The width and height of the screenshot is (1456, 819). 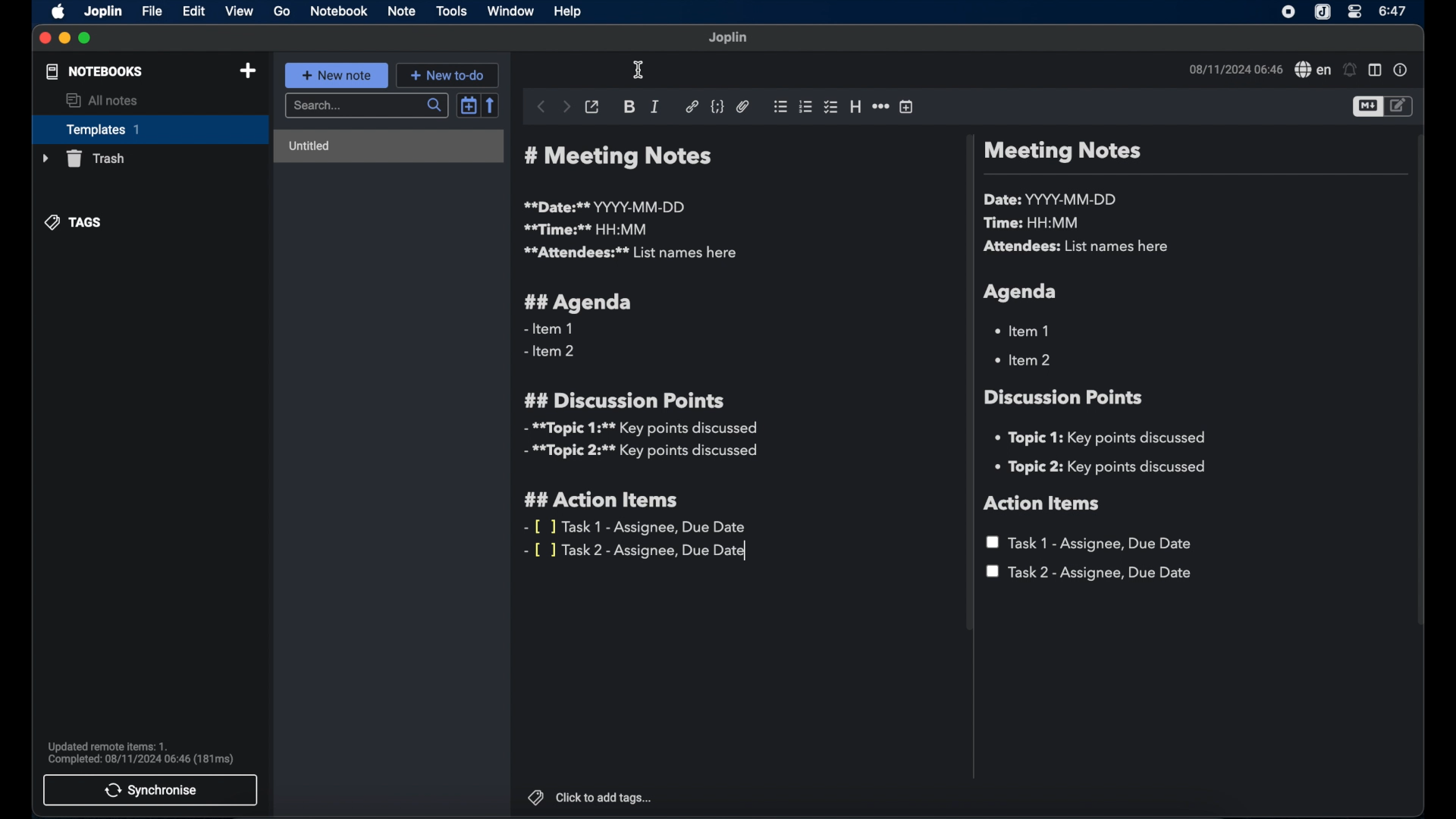 What do you see at coordinates (1025, 330) in the screenshot?
I see `item 1` at bounding box center [1025, 330].